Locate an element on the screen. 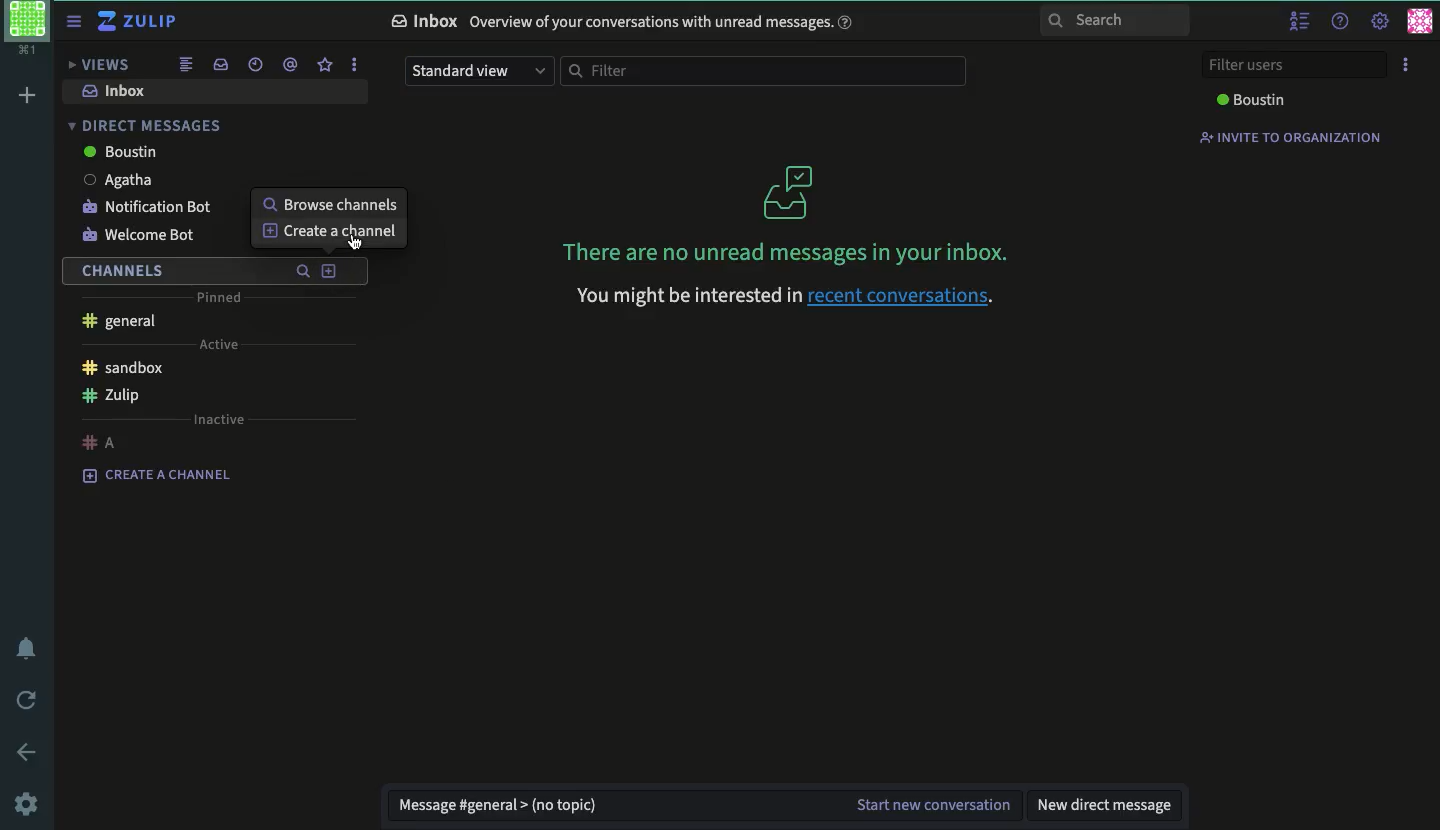  views is located at coordinates (95, 66).